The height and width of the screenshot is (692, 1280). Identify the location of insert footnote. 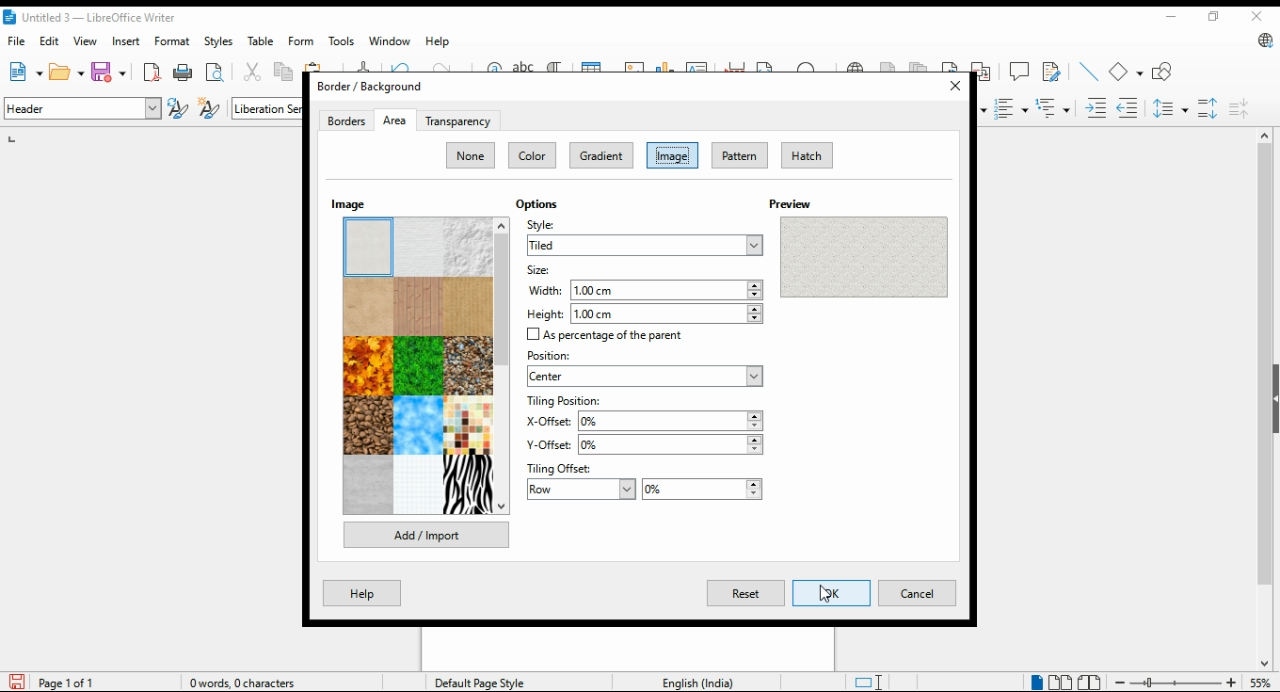
(889, 63).